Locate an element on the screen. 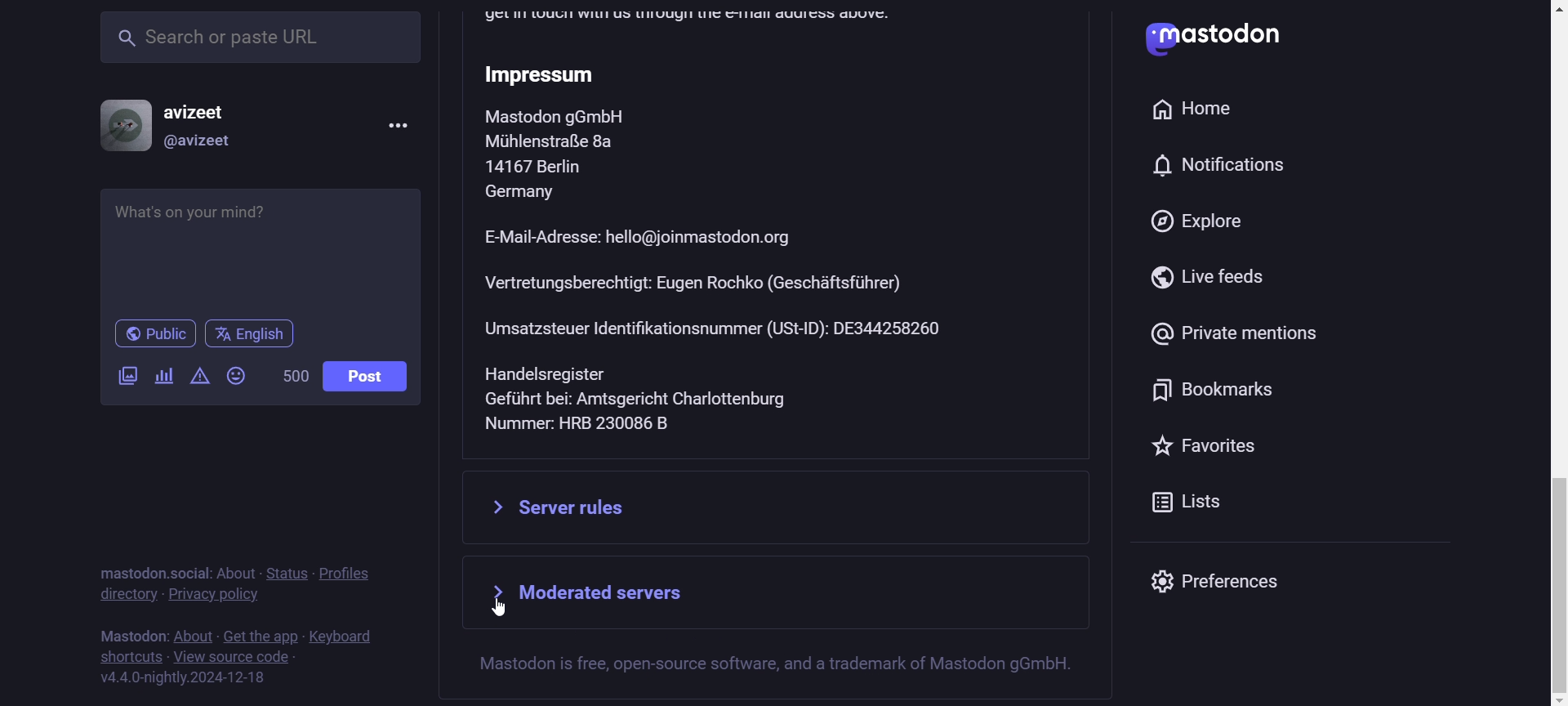  menu is located at coordinates (395, 124).